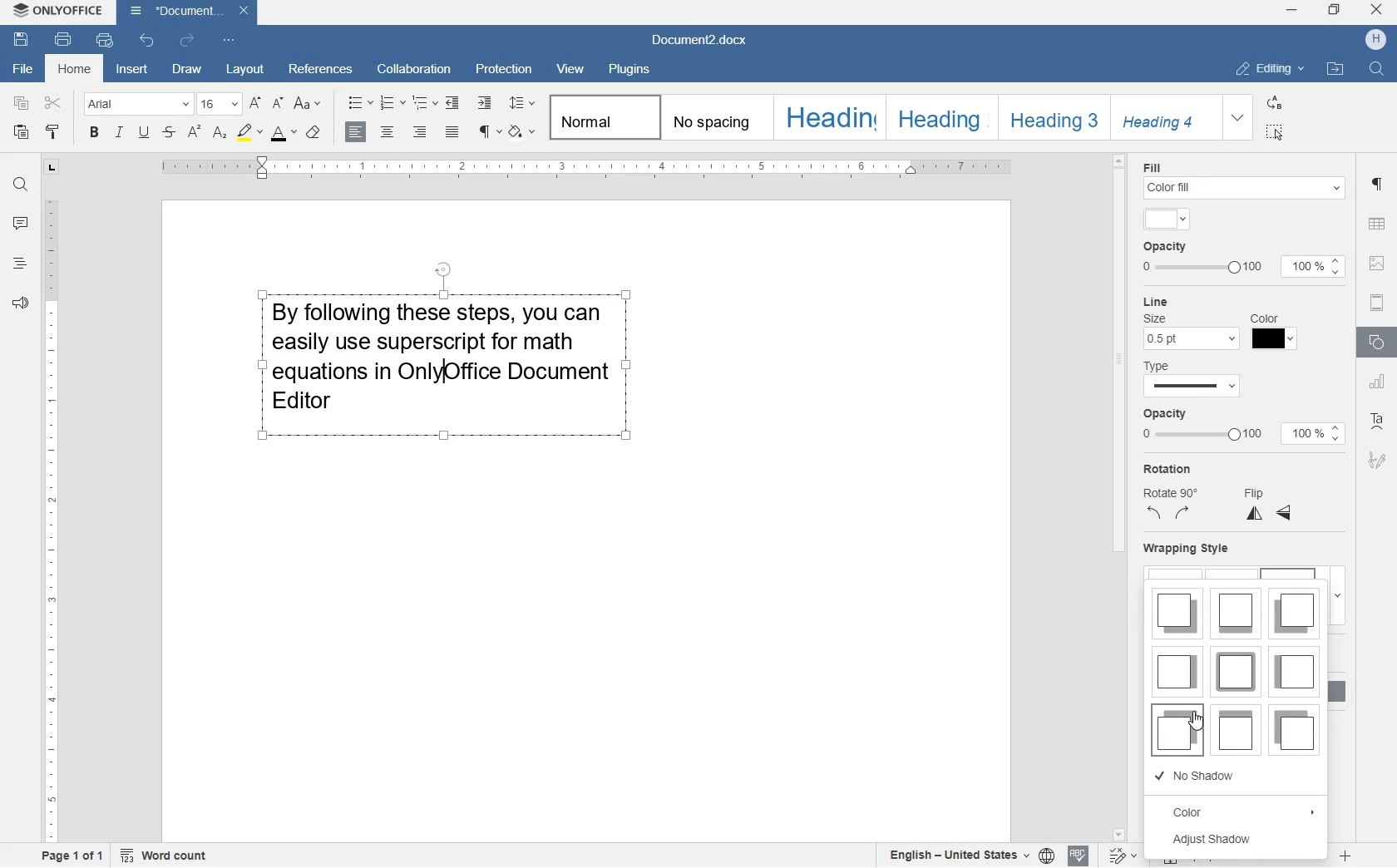  Describe the element at coordinates (308, 104) in the screenshot. I see `change case` at that location.